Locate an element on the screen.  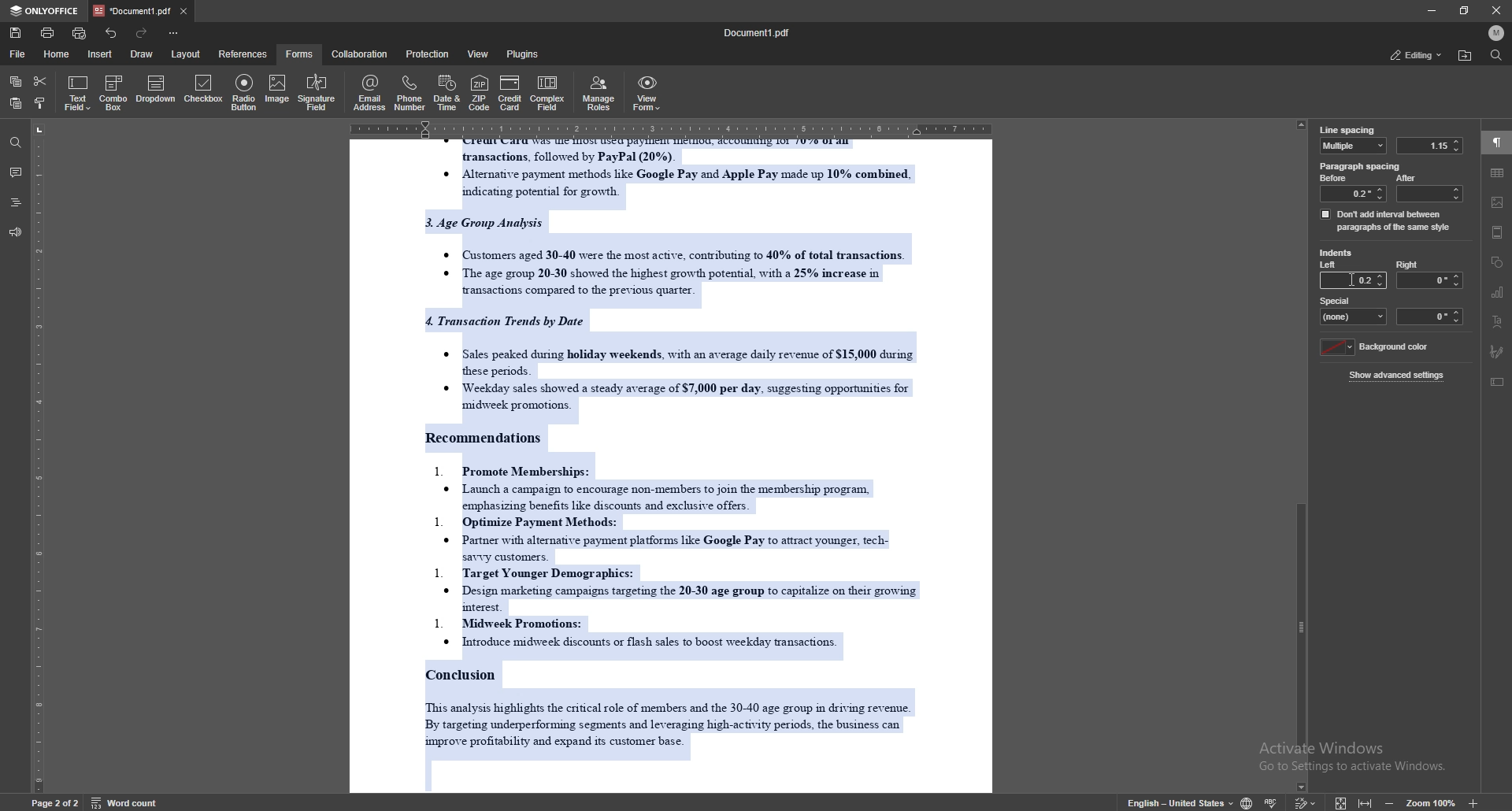
document is located at coordinates (676, 466).